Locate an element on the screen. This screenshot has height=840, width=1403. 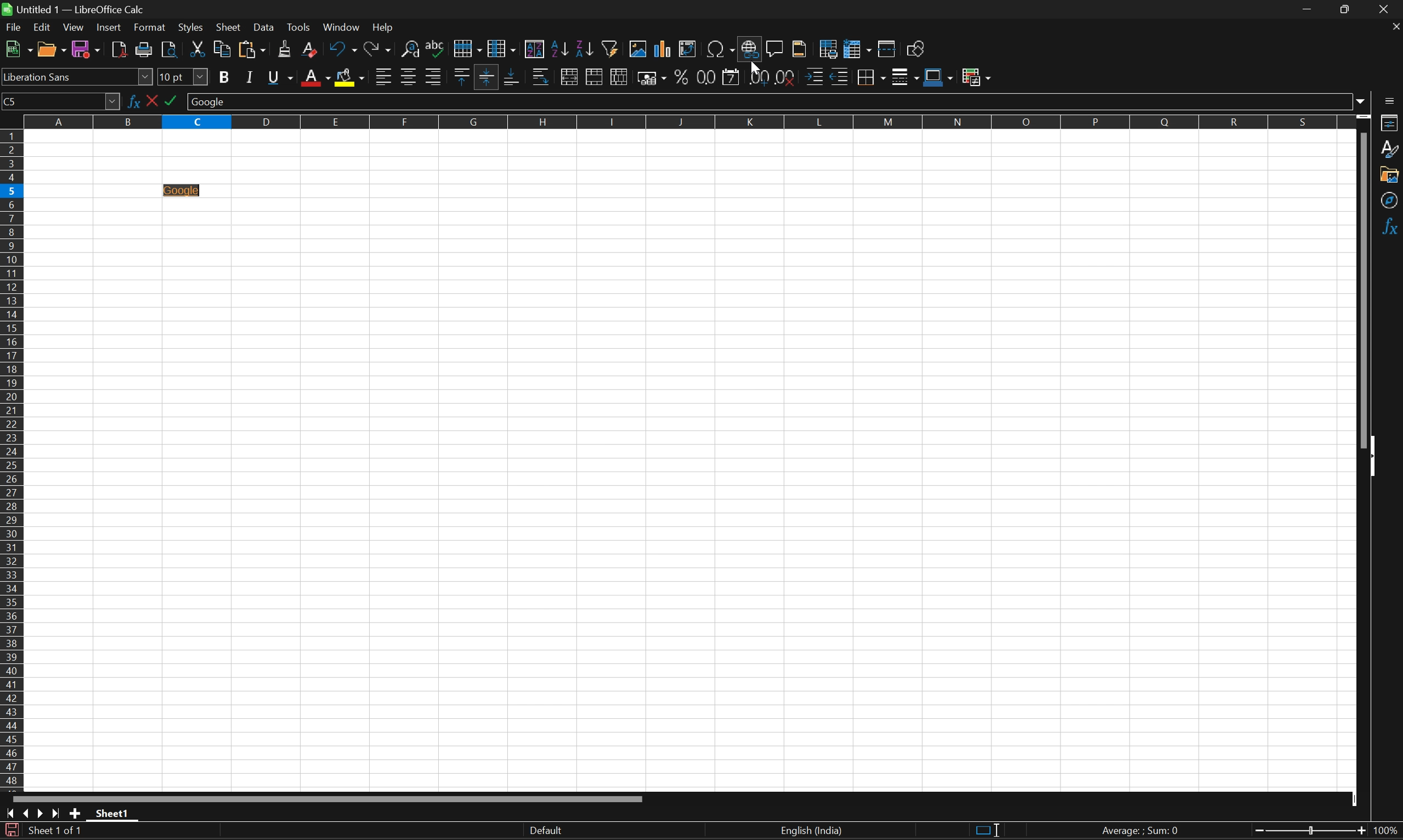
Functions is located at coordinates (1391, 228).